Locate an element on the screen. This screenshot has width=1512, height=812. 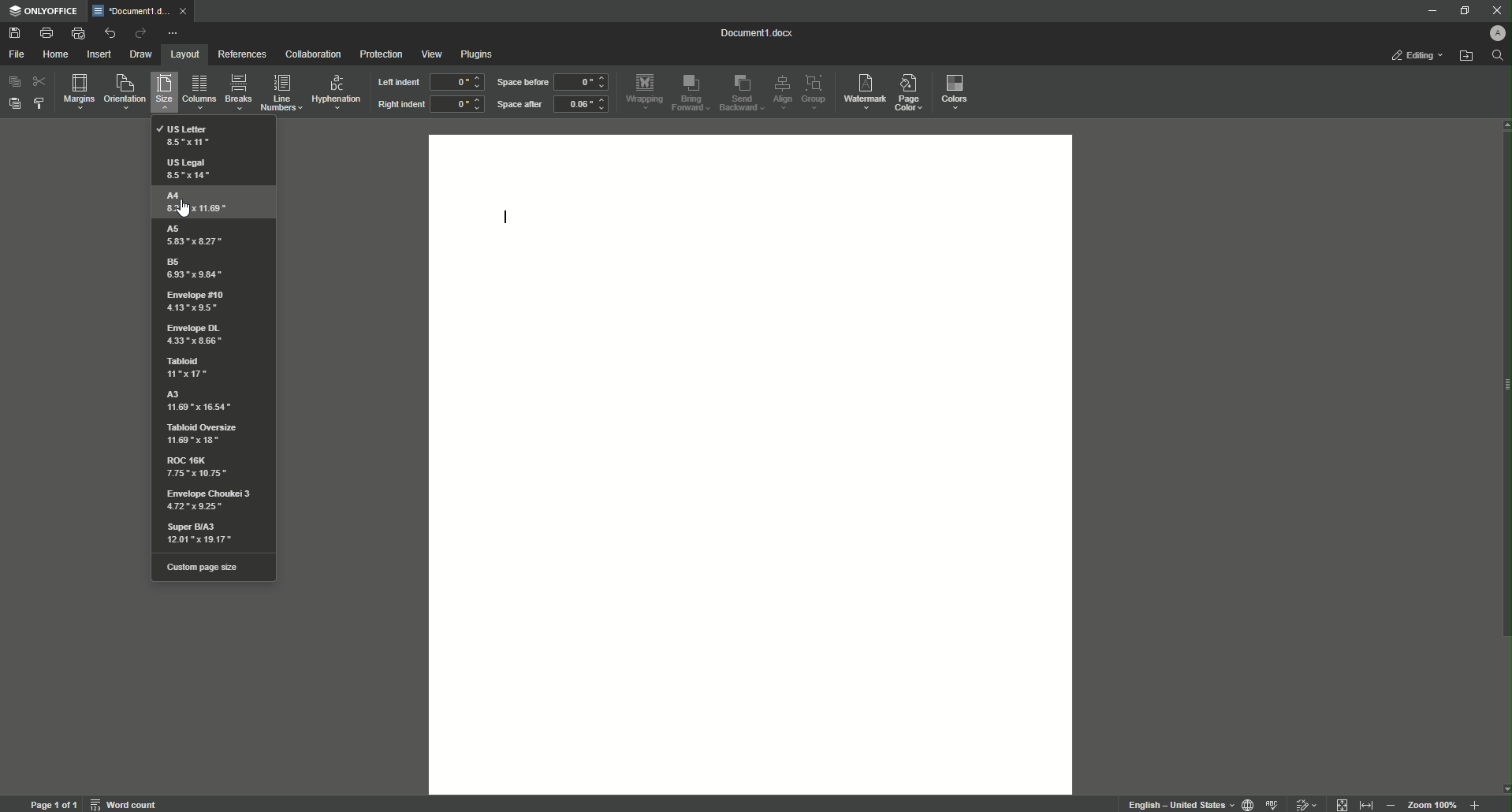
Zoom 100% is located at coordinates (1432, 804).